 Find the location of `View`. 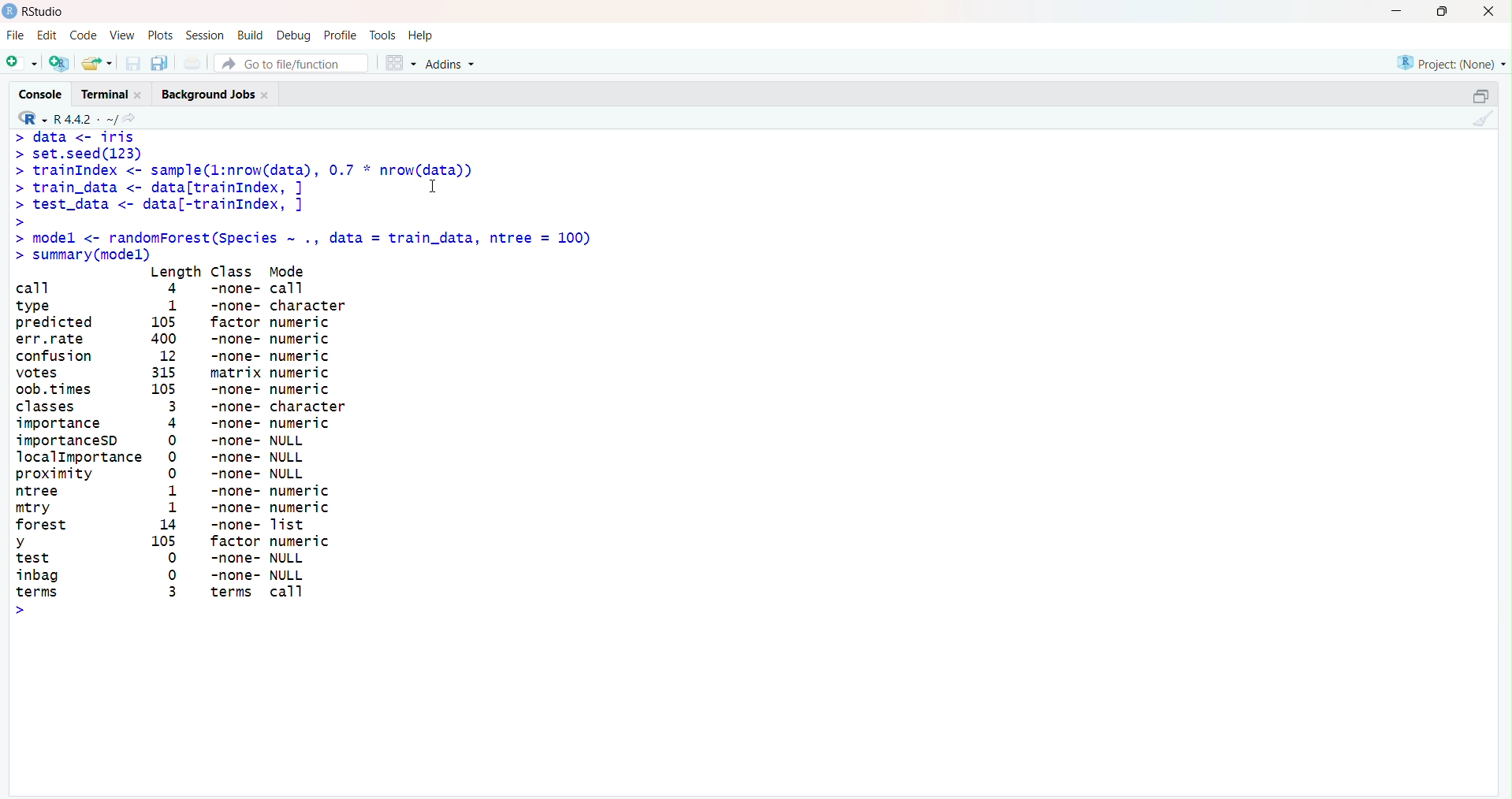

View is located at coordinates (121, 35).